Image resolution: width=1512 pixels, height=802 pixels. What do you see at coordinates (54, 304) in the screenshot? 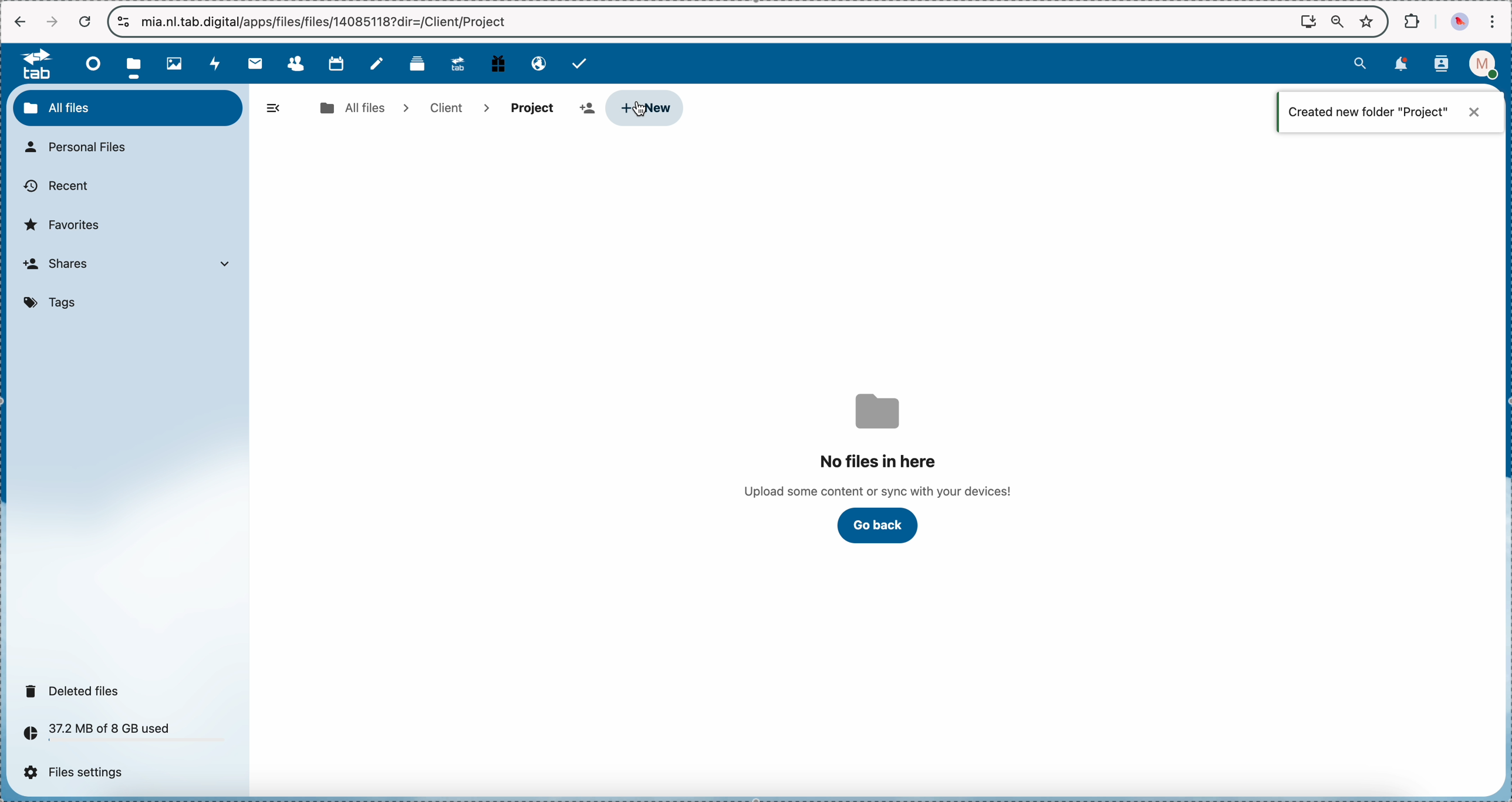
I see `tags` at bounding box center [54, 304].